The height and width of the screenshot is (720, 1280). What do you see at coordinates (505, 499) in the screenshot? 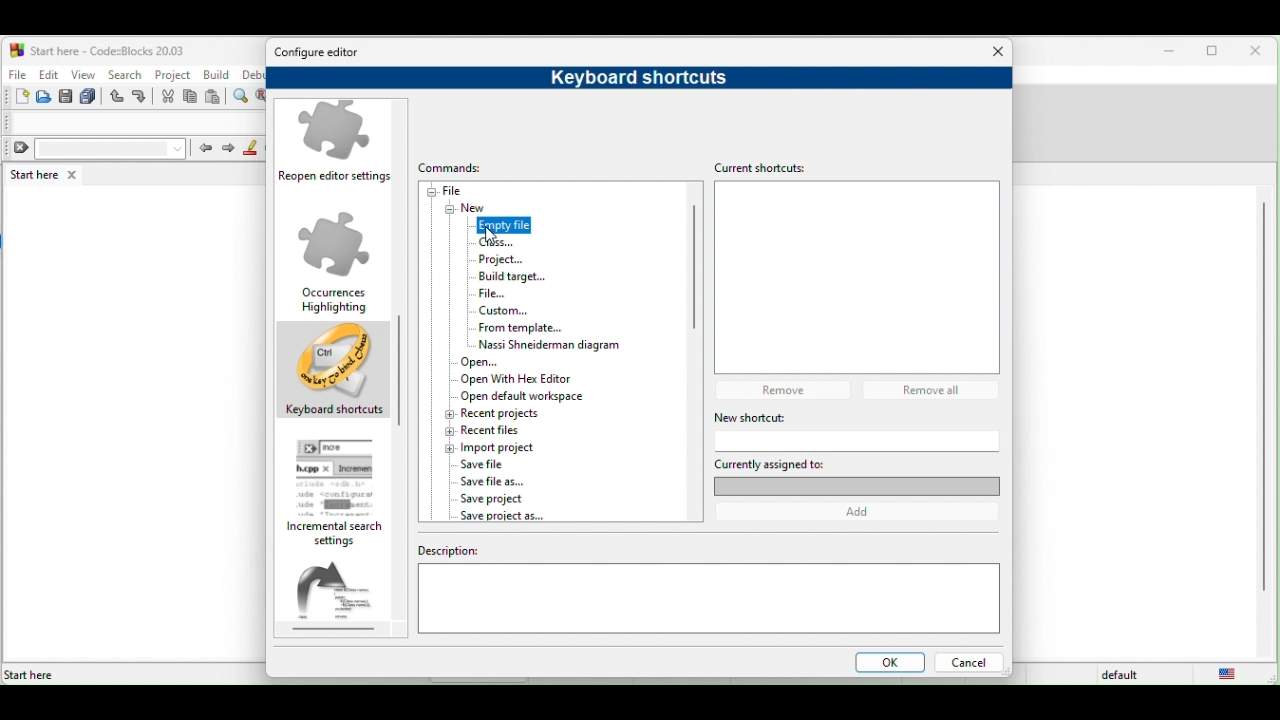
I see `save project` at bounding box center [505, 499].